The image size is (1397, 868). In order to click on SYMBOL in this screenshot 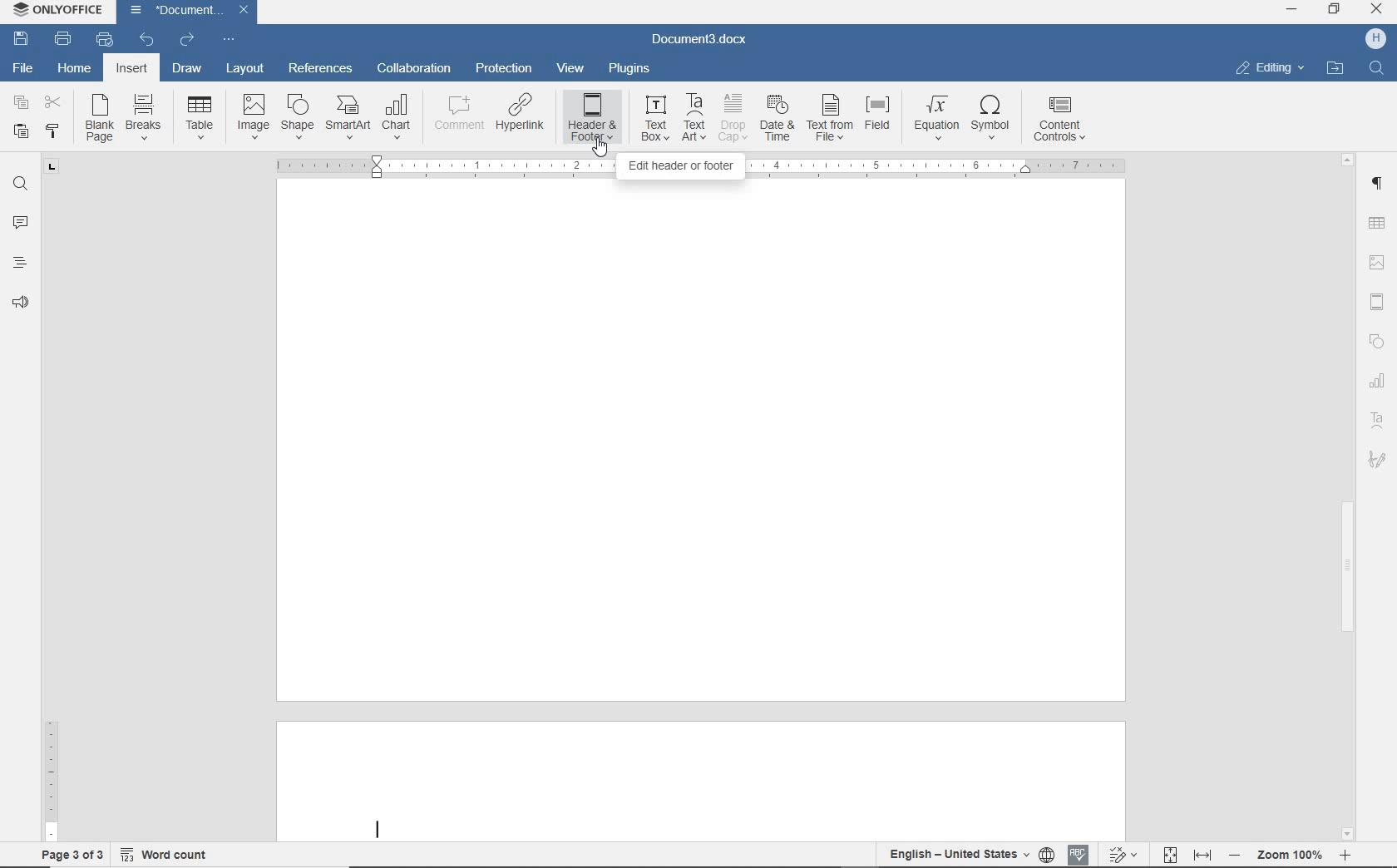, I will do `click(994, 116)`.